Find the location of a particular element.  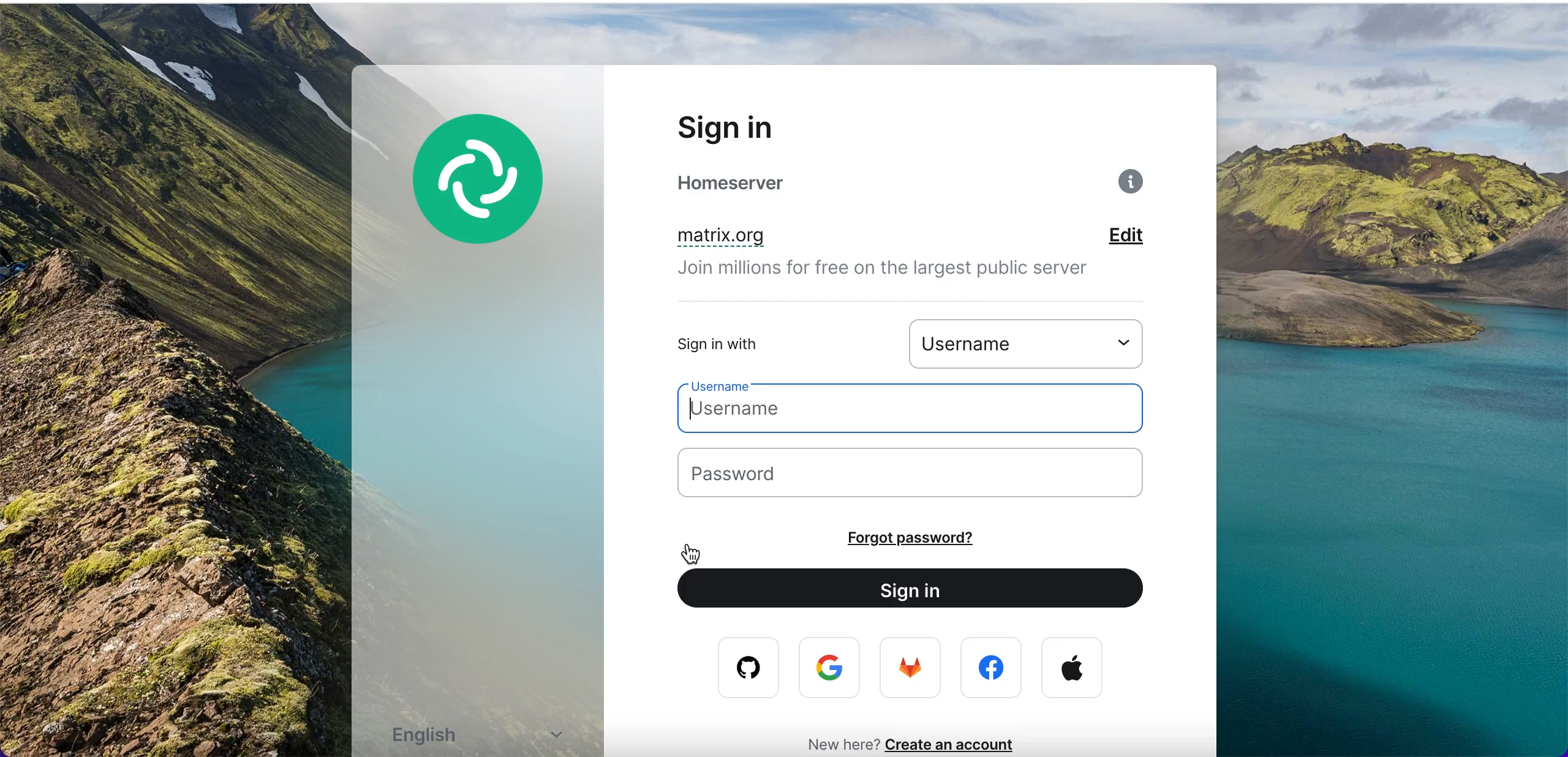

matrix.org is located at coordinates (784, 238).